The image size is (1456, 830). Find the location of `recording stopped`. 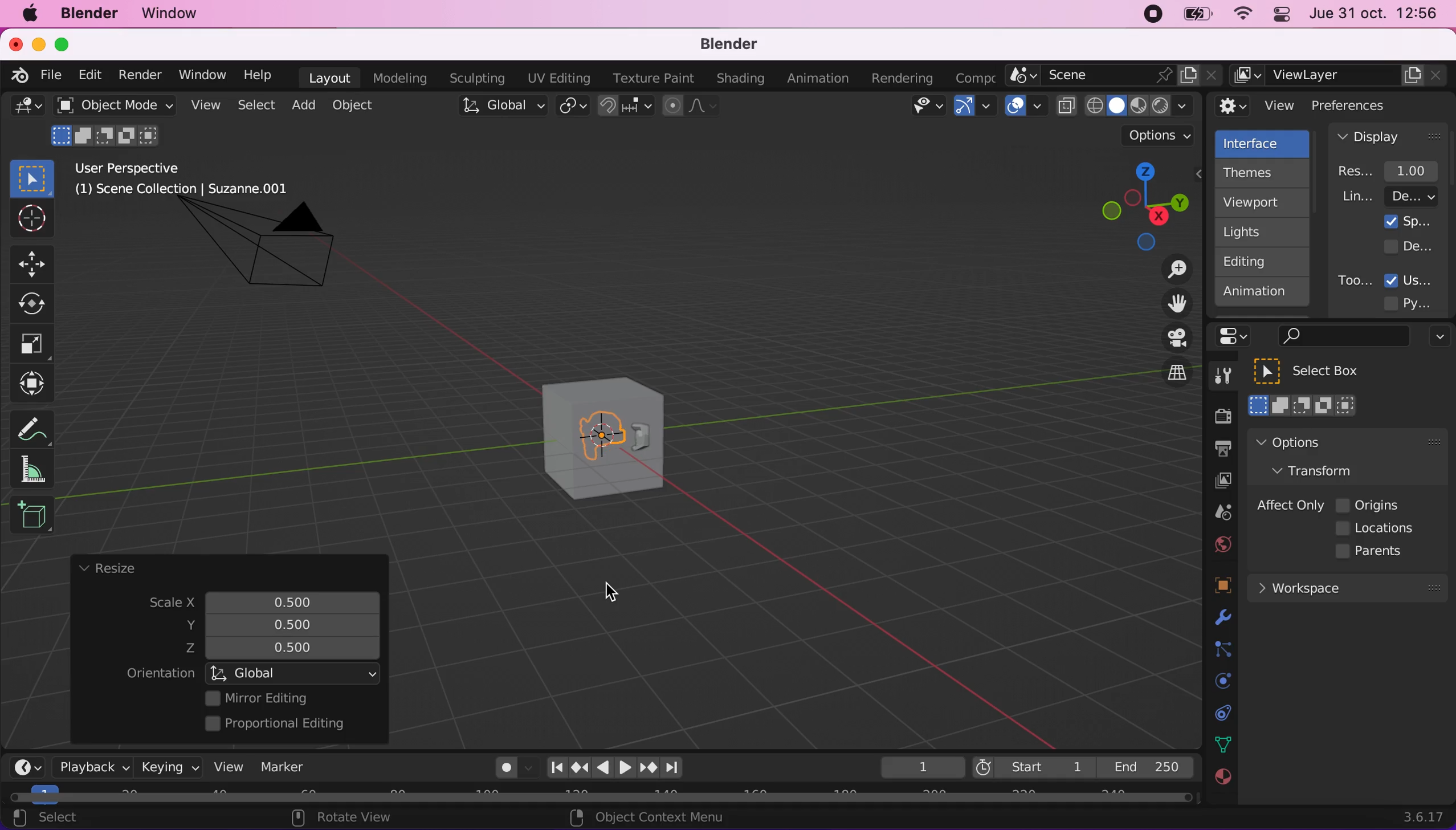

recording stopped is located at coordinates (1148, 16).